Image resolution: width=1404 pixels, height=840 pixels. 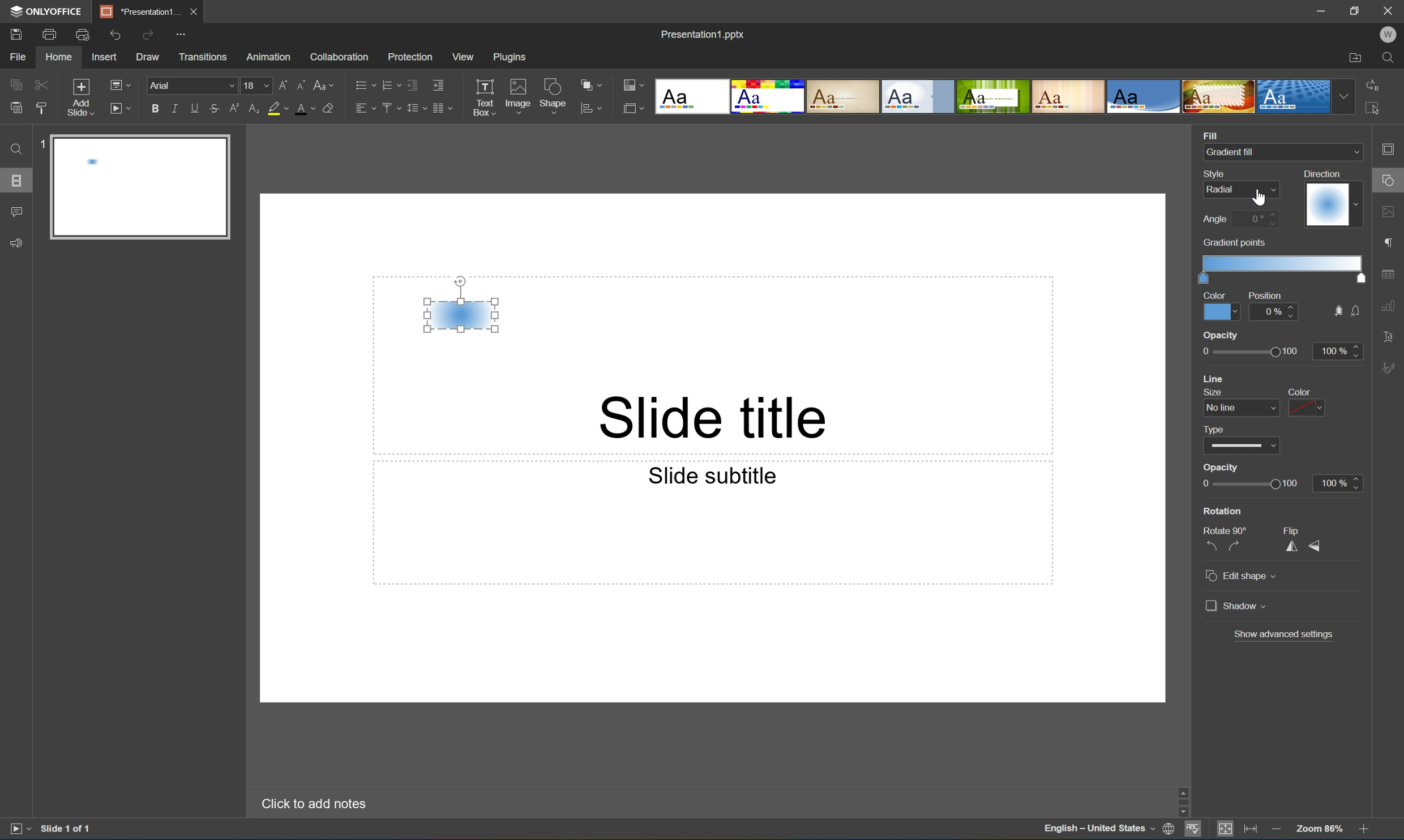 What do you see at coordinates (1226, 529) in the screenshot?
I see `Rotate 90°` at bounding box center [1226, 529].